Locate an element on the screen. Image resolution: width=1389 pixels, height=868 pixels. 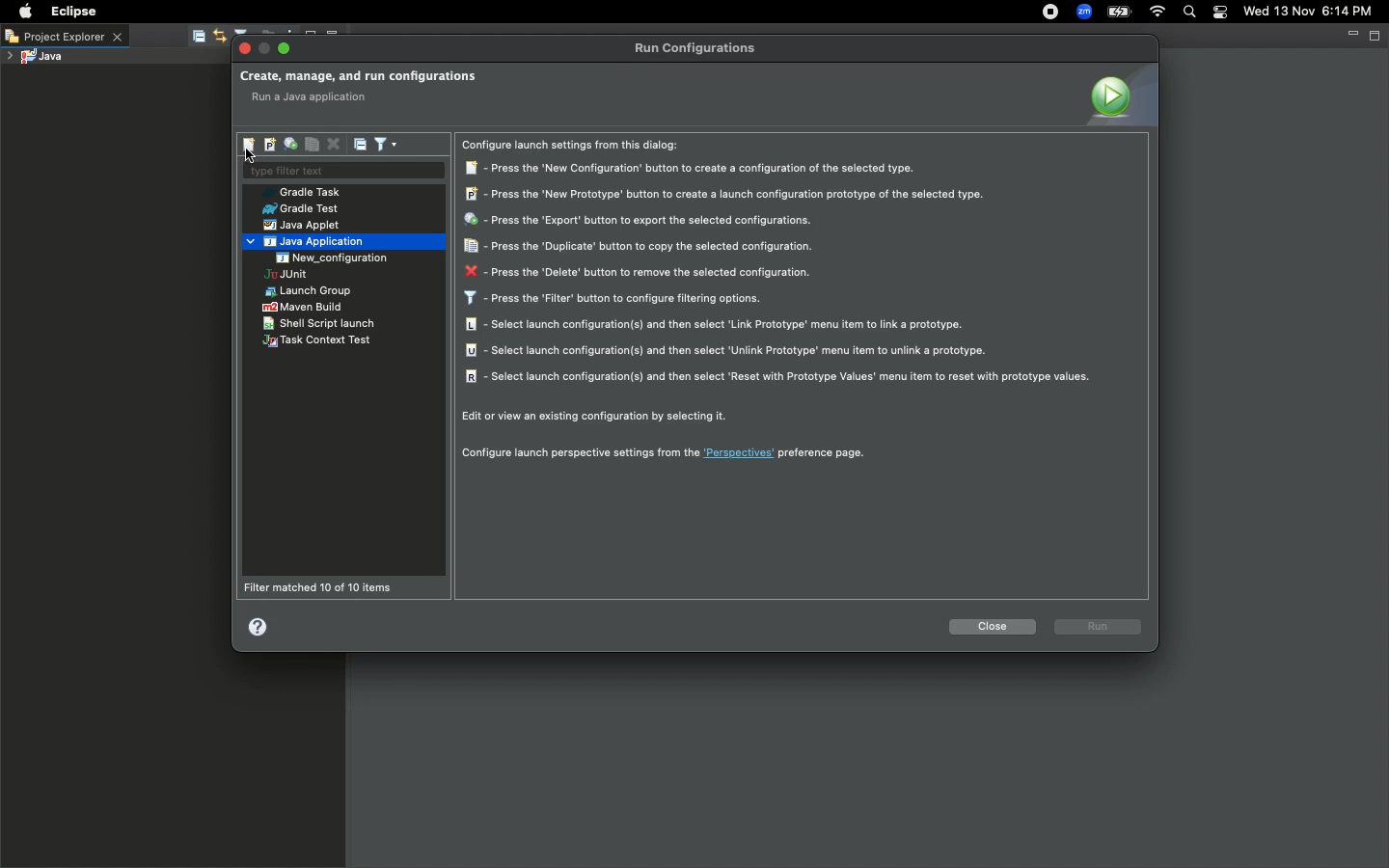
Close is located at coordinates (246, 49).